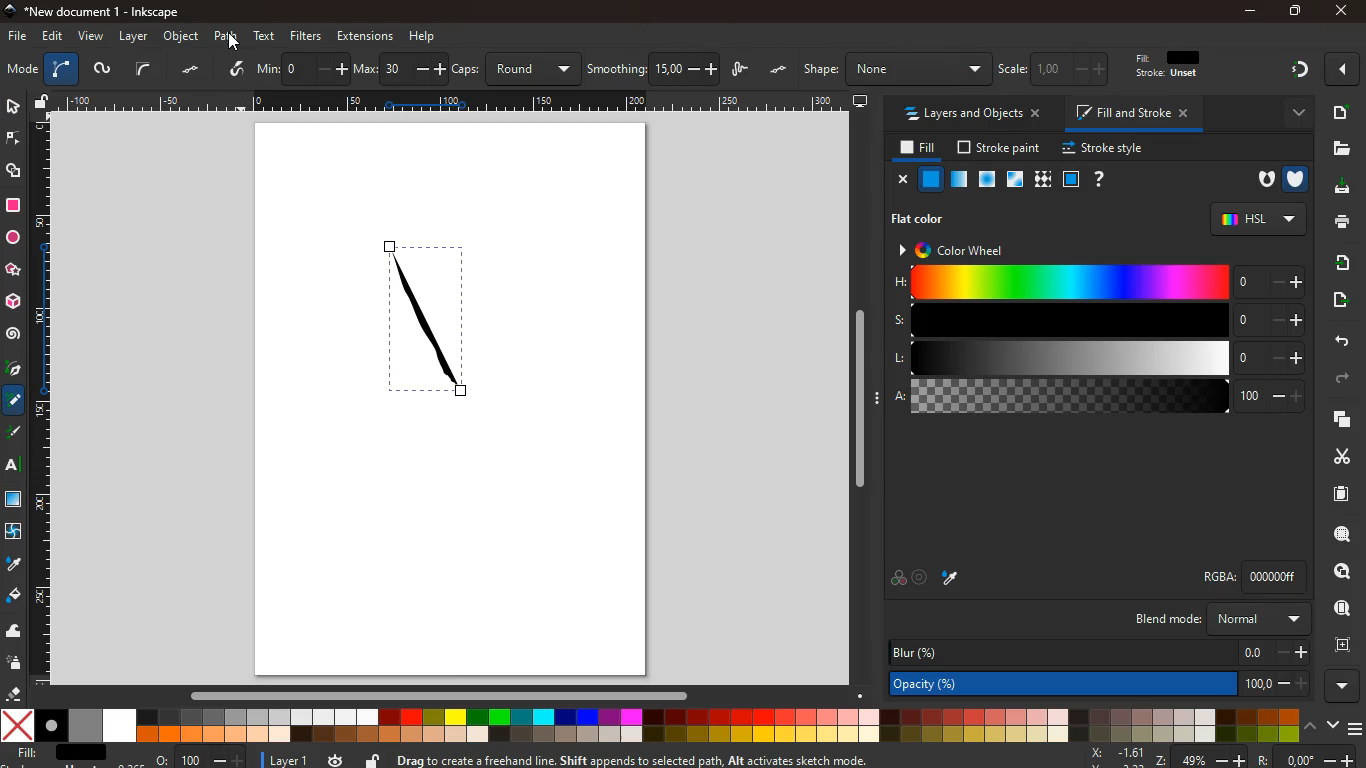 The image size is (1366, 768). I want to click on Scale, so click(41, 399).